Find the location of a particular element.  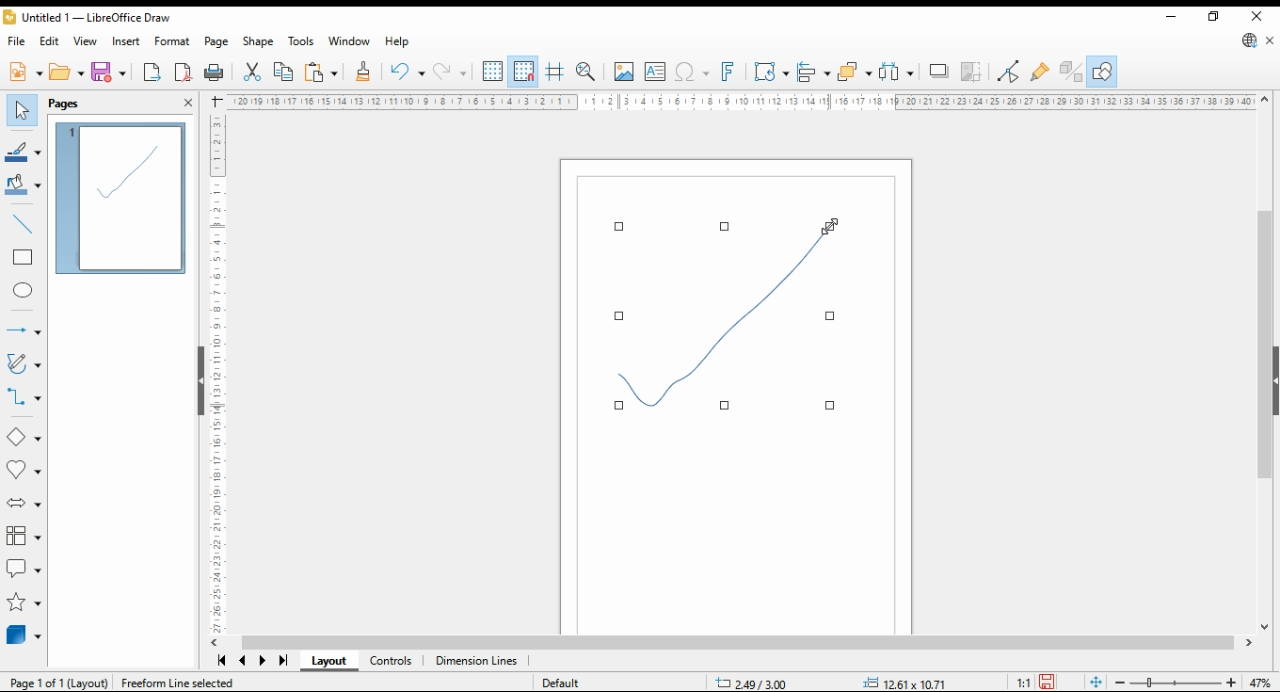

insert line  is located at coordinates (25, 225).